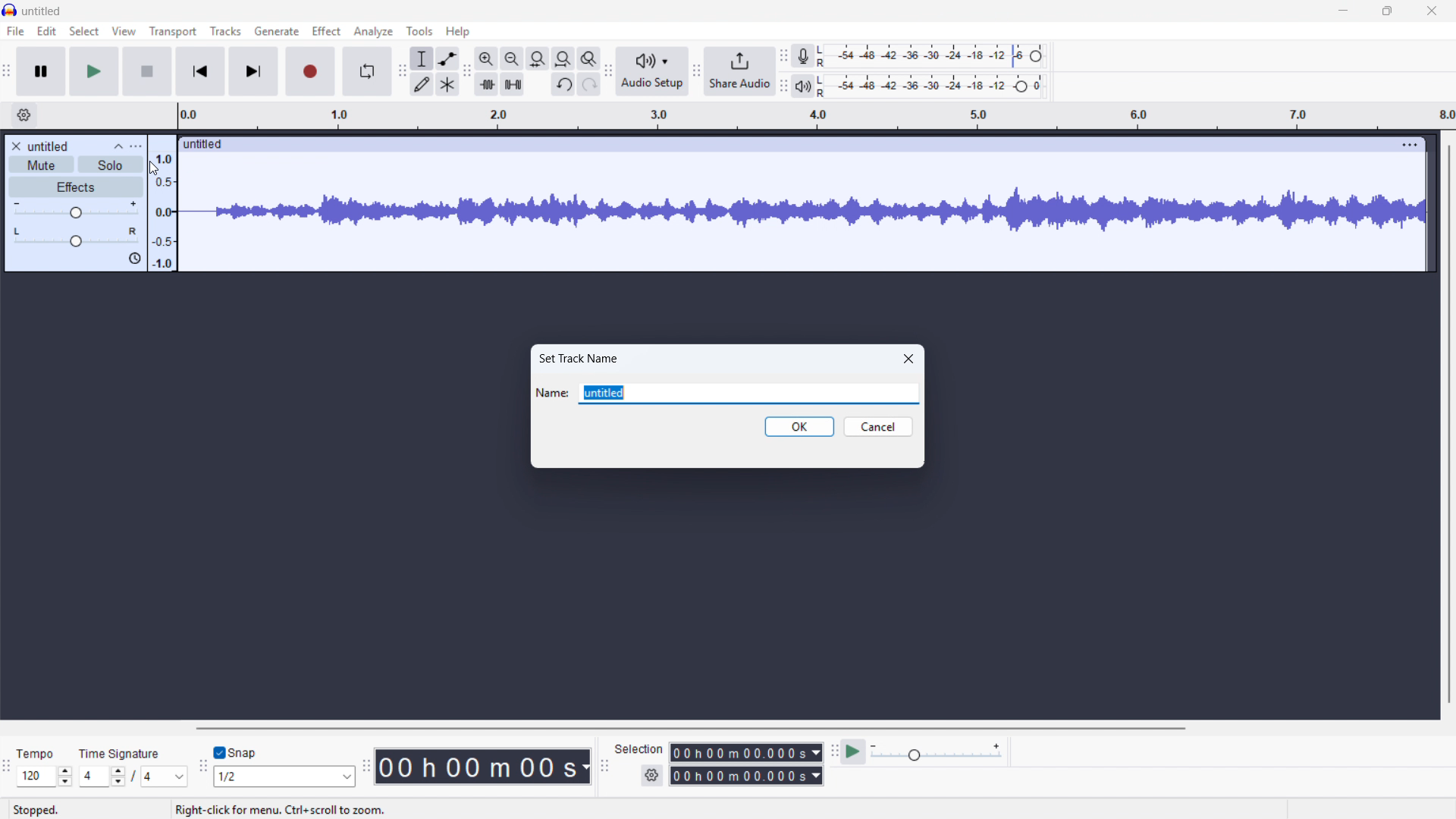  Describe the element at coordinates (513, 85) in the screenshot. I see `Silence audio selection ` at that location.